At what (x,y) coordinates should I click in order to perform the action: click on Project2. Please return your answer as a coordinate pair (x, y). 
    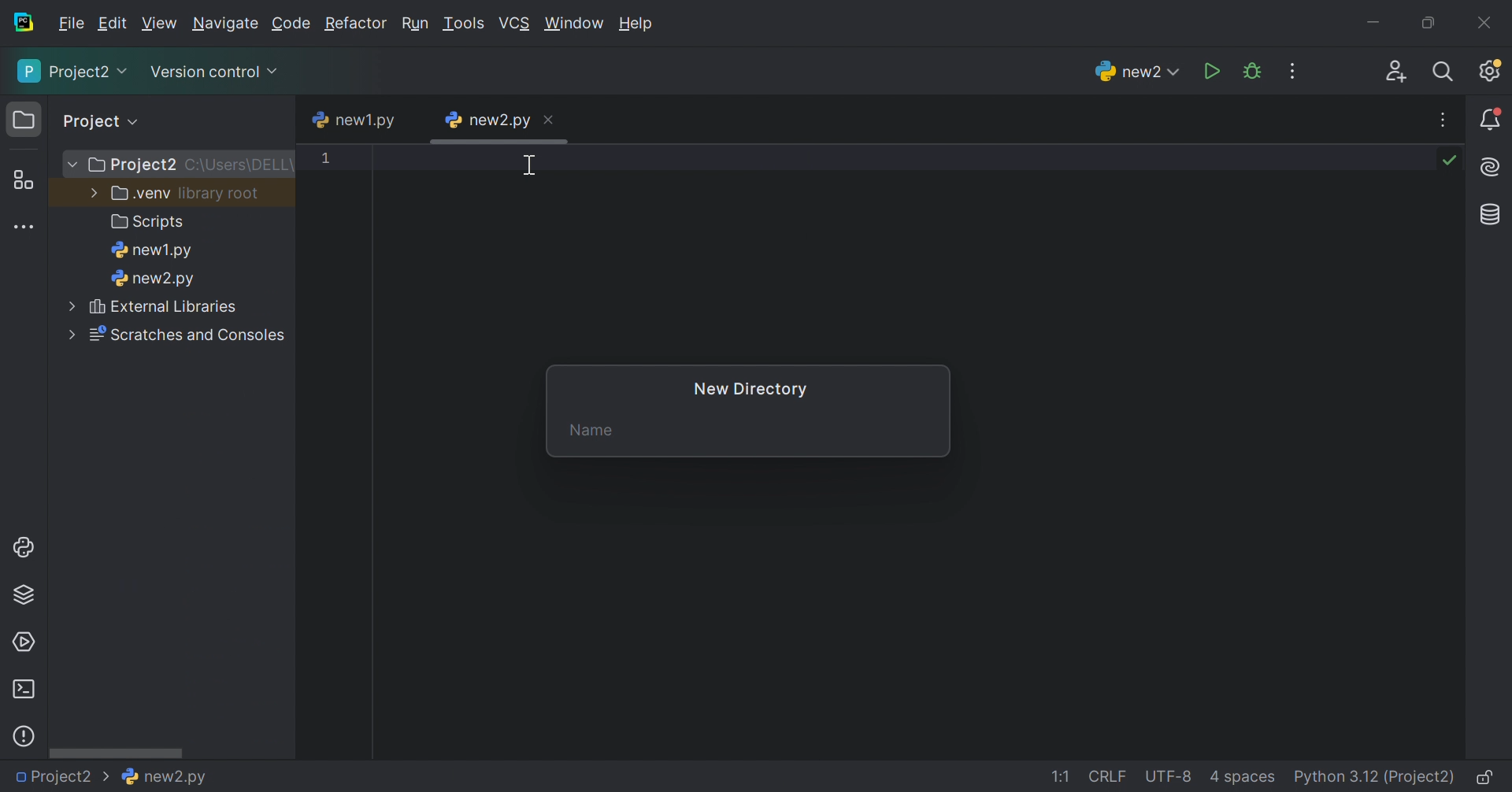
    Looking at the image, I should click on (133, 165).